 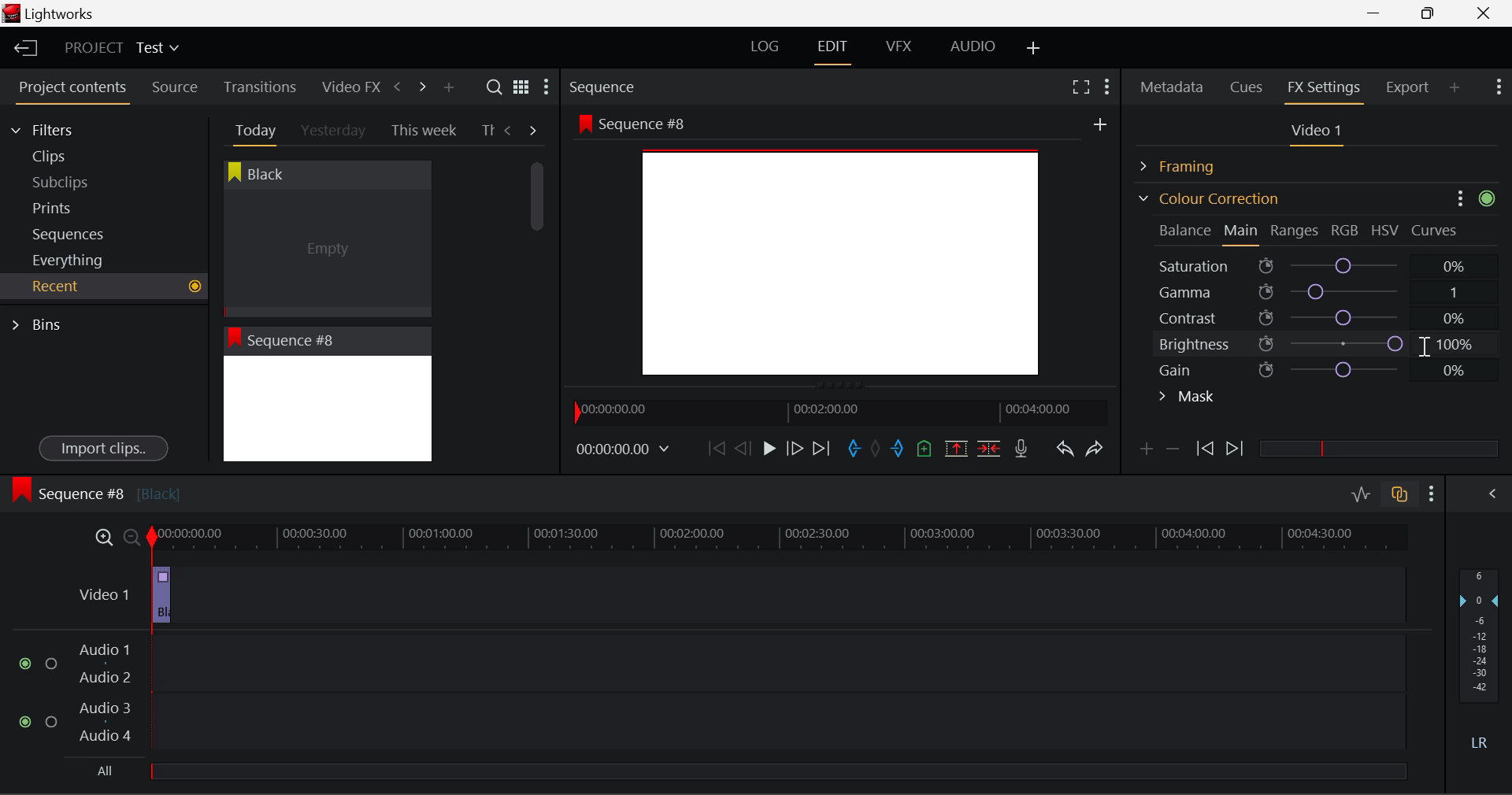 What do you see at coordinates (1432, 13) in the screenshot?
I see `Minimize` at bounding box center [1432, 13].